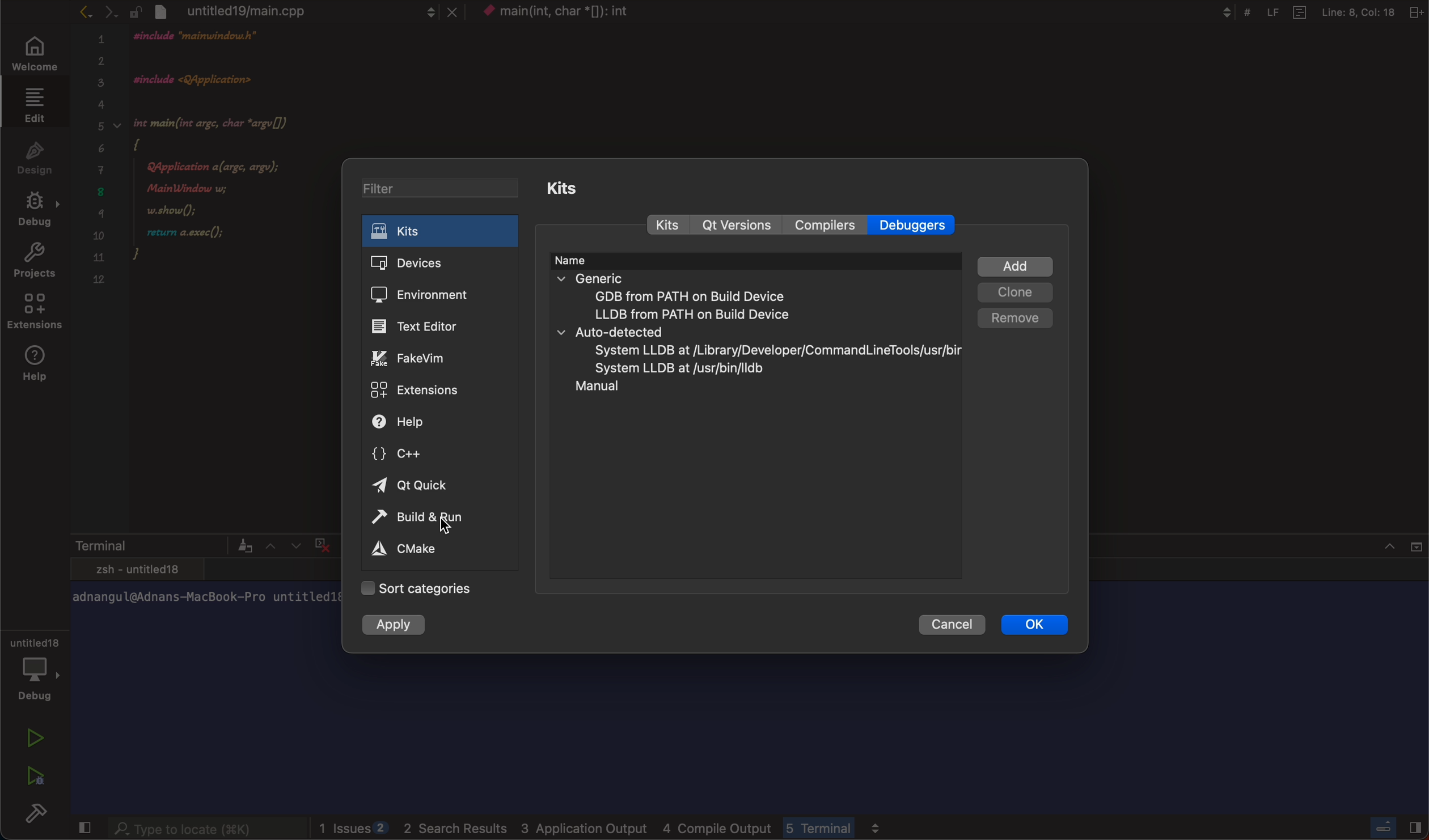 The image size is (1429, 840). I want to click on kits information, so click(758, 336).